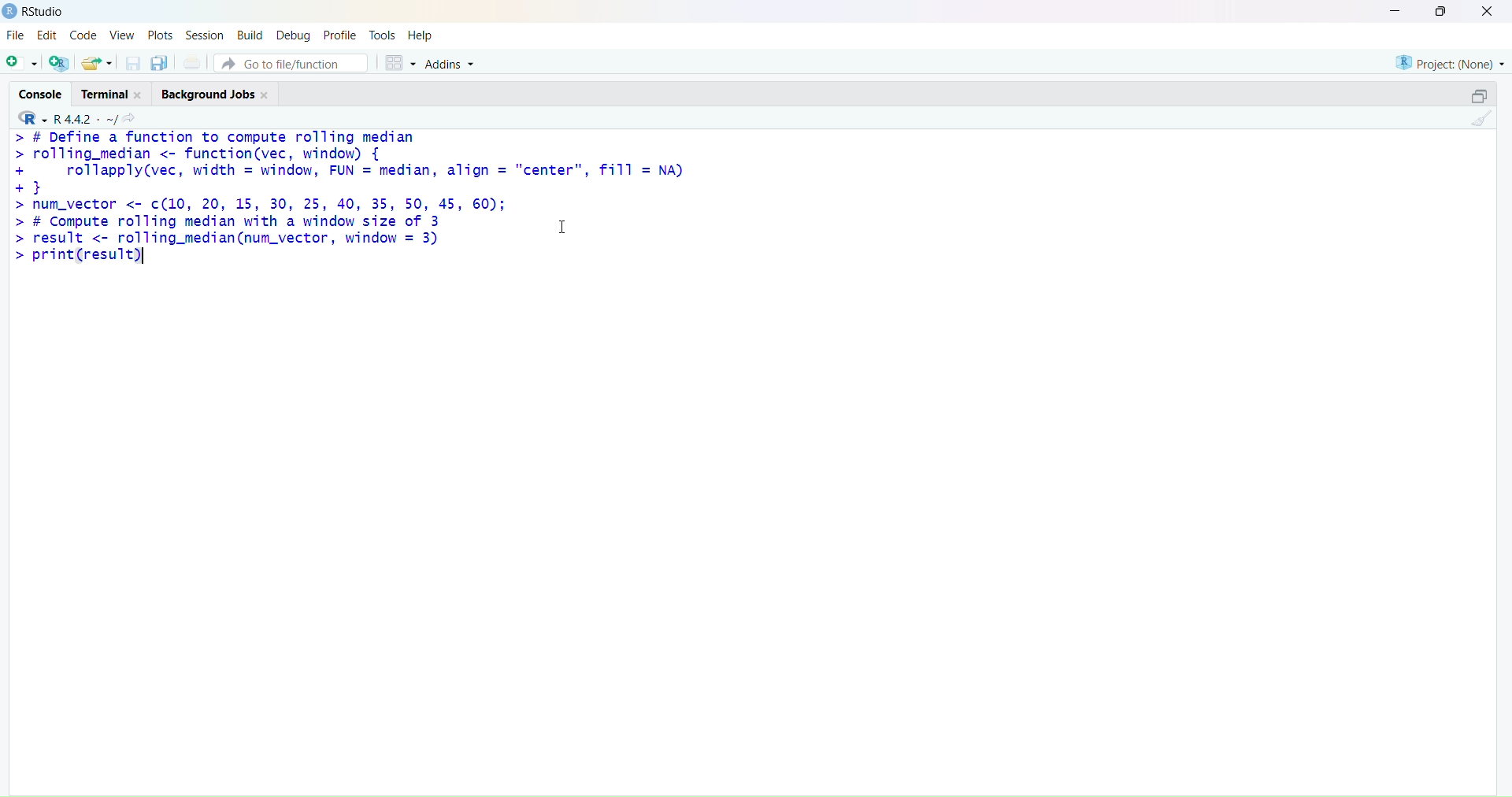 This screenshot has height=797, width=1512. Describe the element at coordinates (162, 35) in the screenshot. I see `plots` at that location.